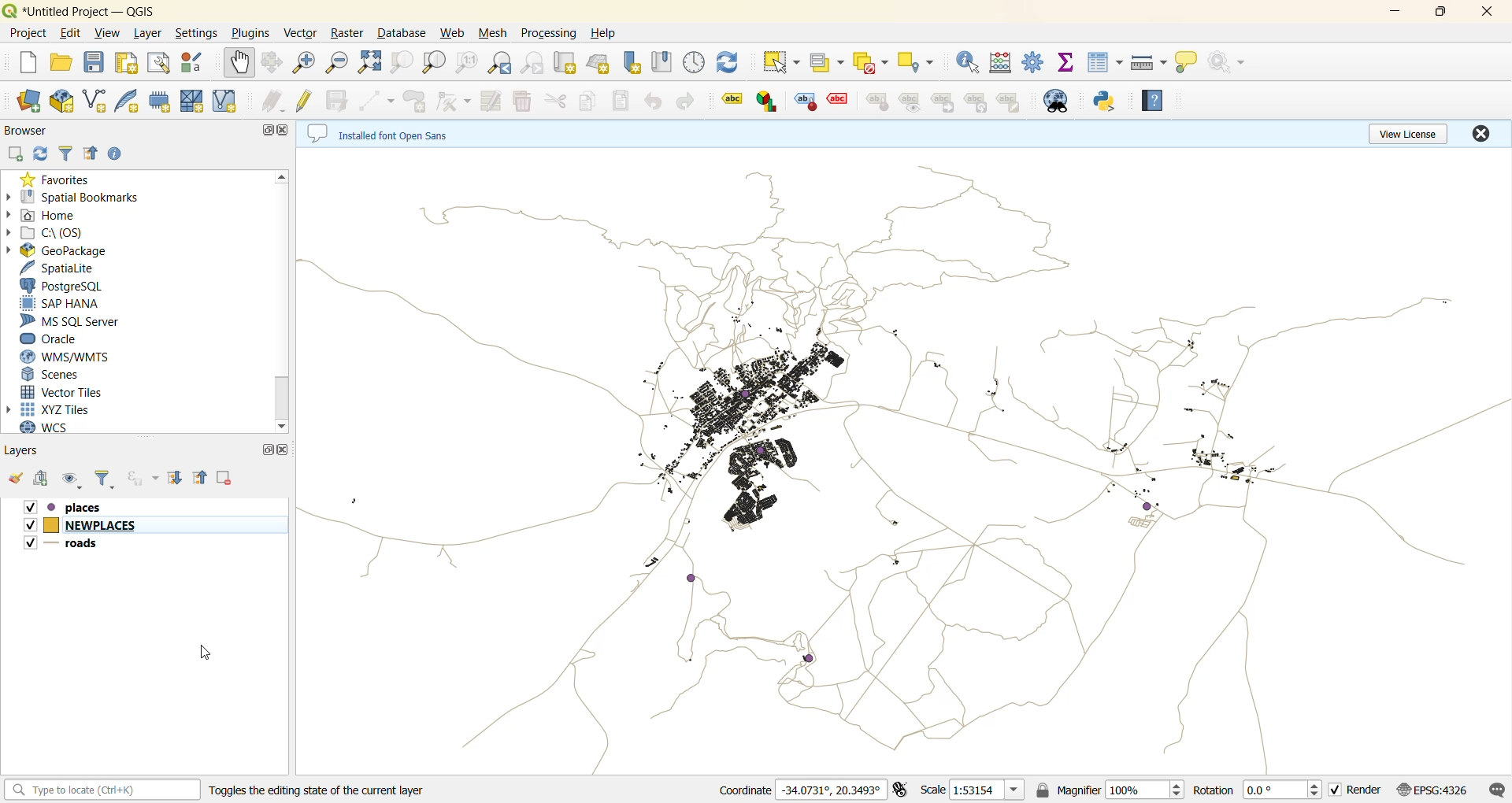 The width and height of the screenshot is (1512, 803). I want to click on remove layer, so click(228, 476).